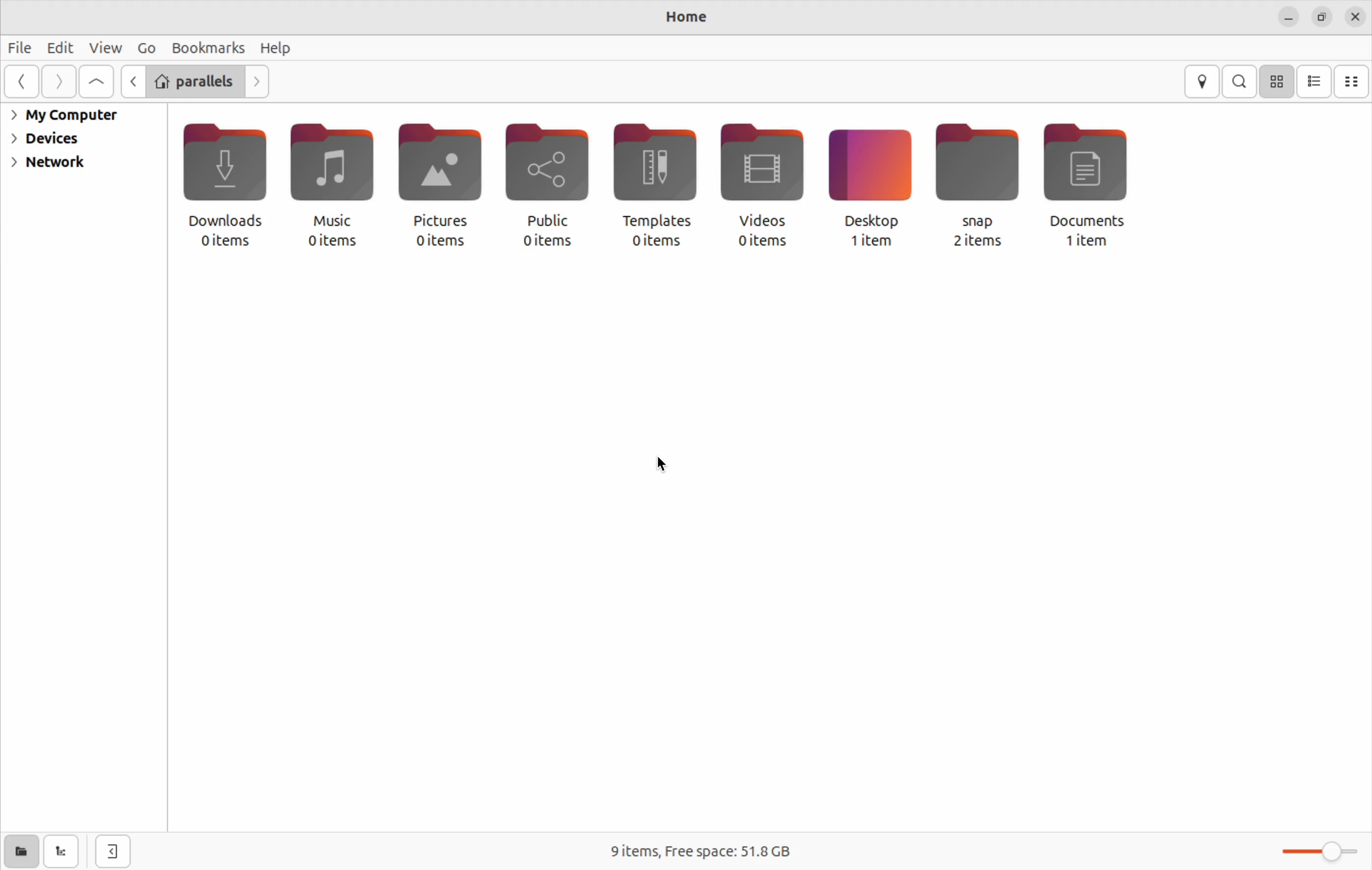 The image size is (1372, 870). Describe the element at coordinates (59, 82) in the screenshot. I see `forward` at that location.